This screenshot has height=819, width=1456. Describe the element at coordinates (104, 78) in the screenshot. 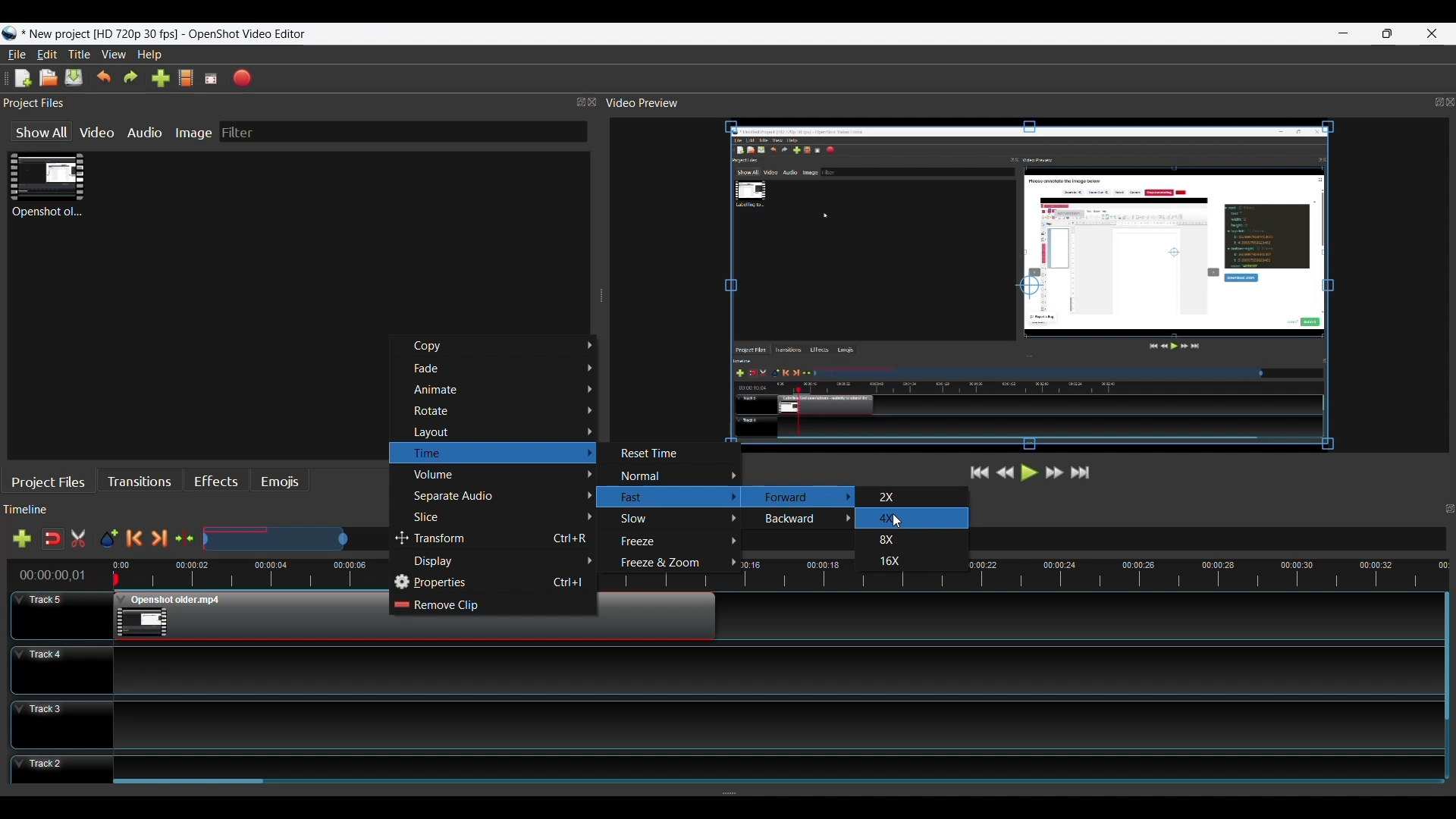

I see `Undo` at that location.